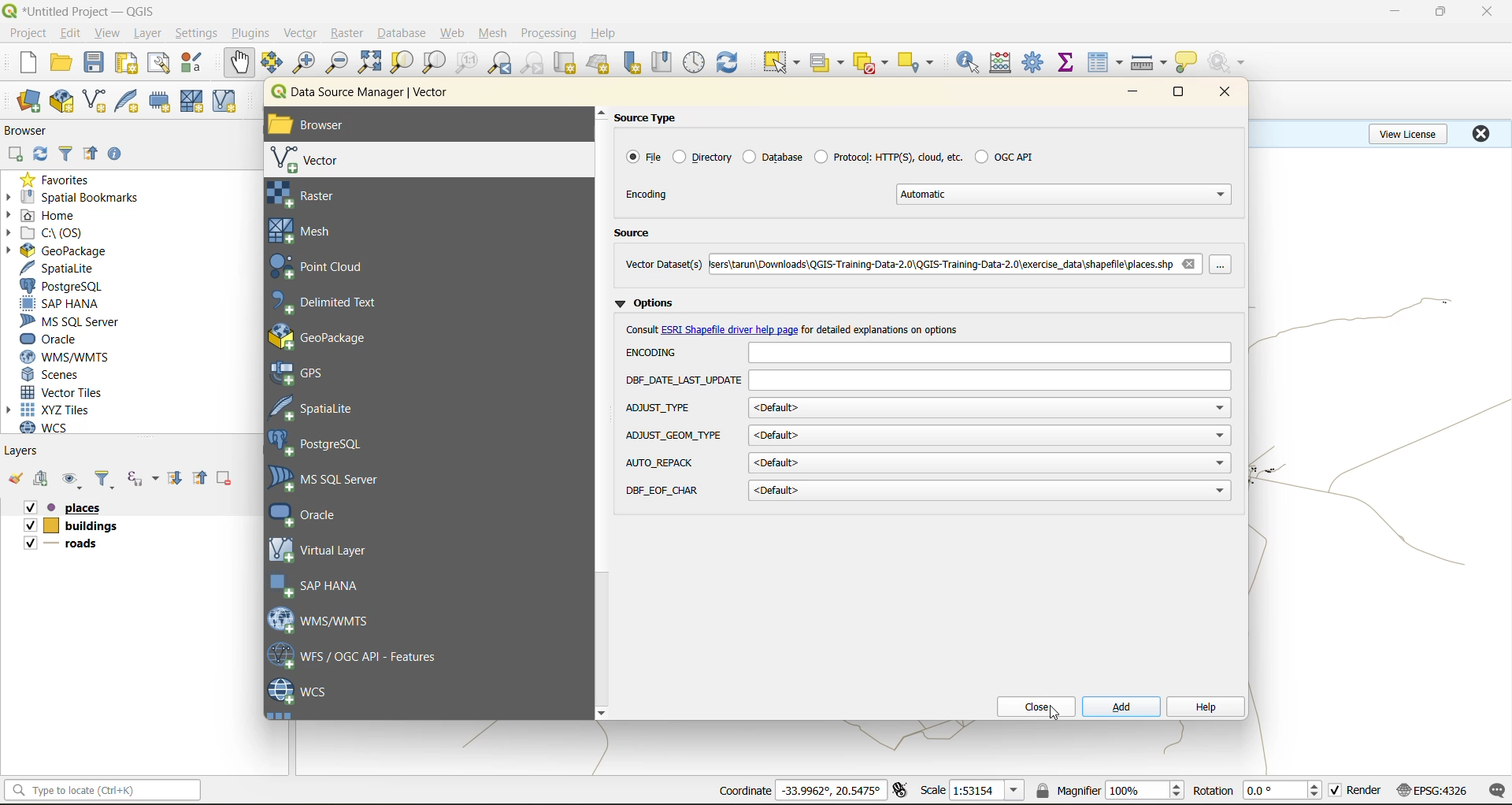 Image resolution: width=1512 pixels, height=805 pixels. What do you see at coordinates (606, 33) in the screenshot?
I see `help` at bounding box center [606, 33].